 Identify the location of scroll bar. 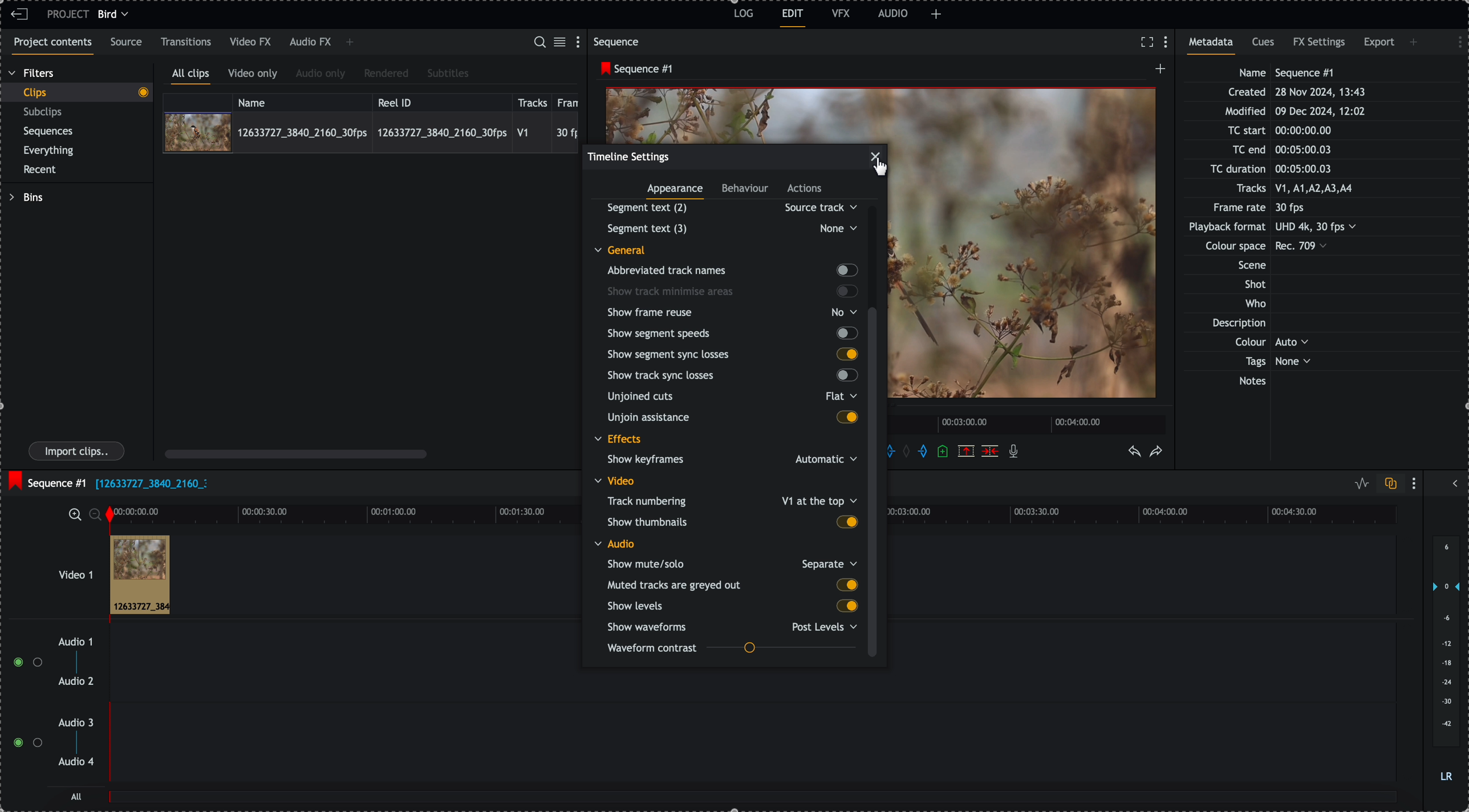
(296, 453).